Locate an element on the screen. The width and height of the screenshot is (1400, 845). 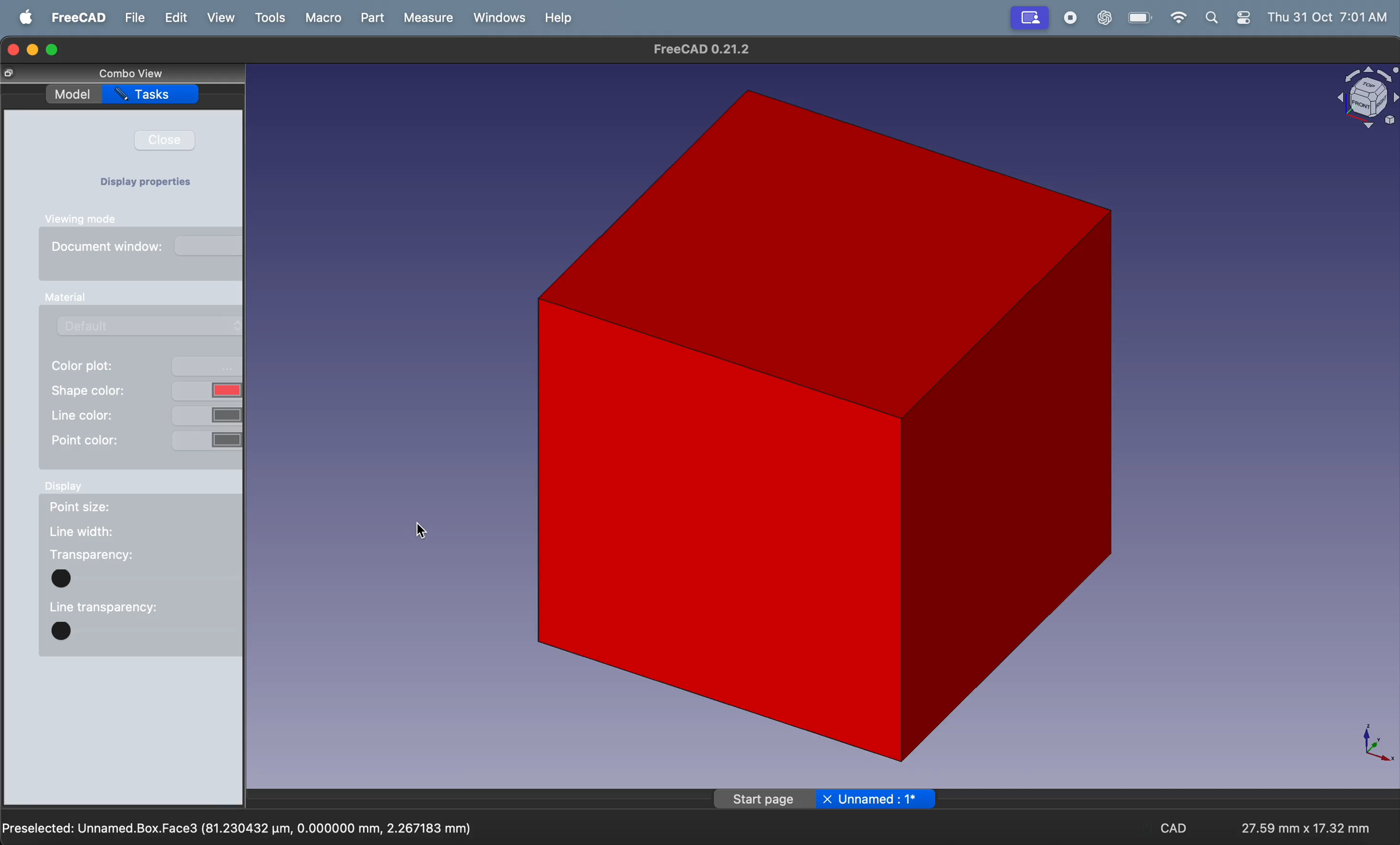
windows is located at coordinates (498, 18).